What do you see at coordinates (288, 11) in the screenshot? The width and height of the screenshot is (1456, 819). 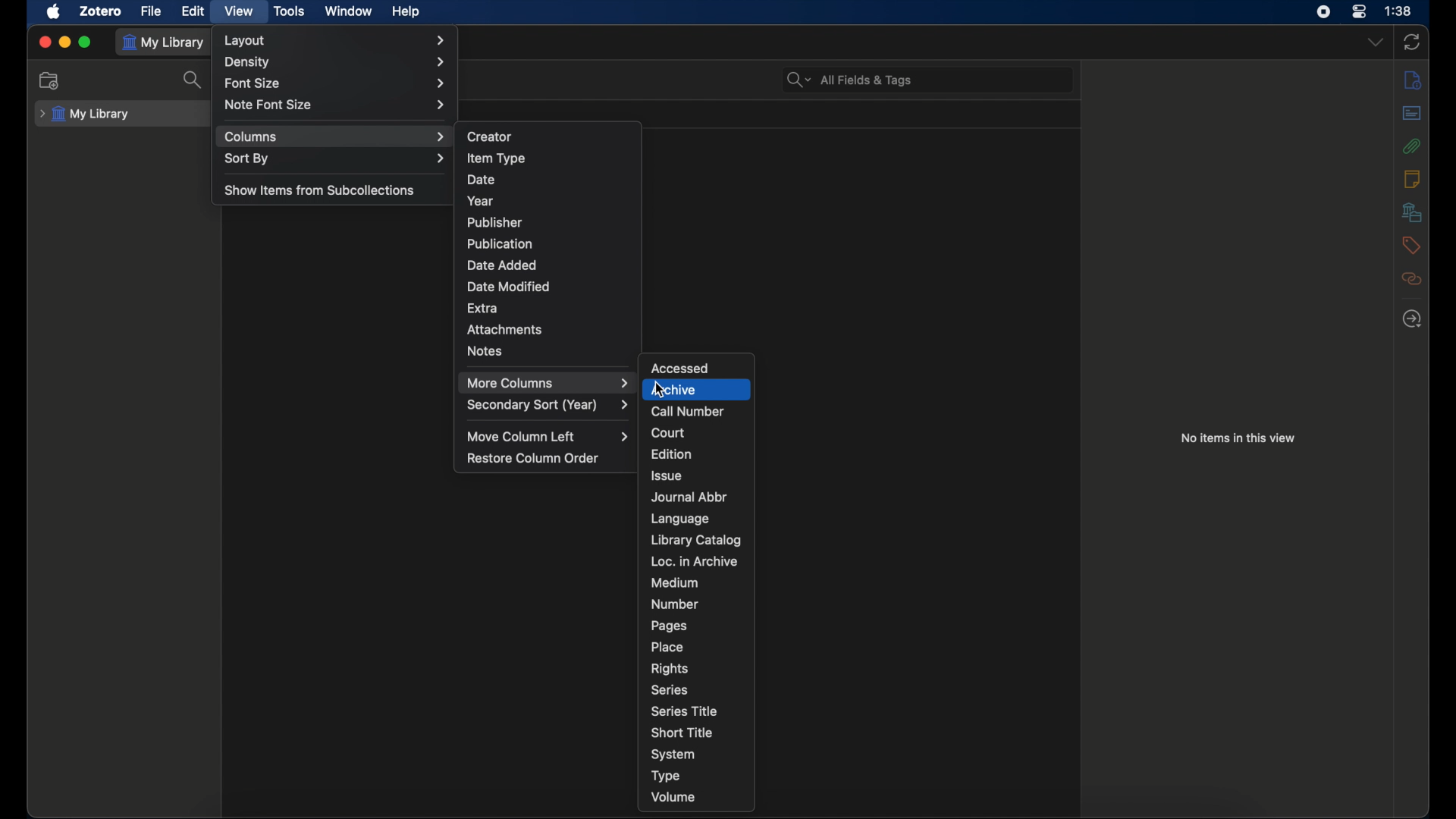 I see `tools` at bounding box center [288, 11].